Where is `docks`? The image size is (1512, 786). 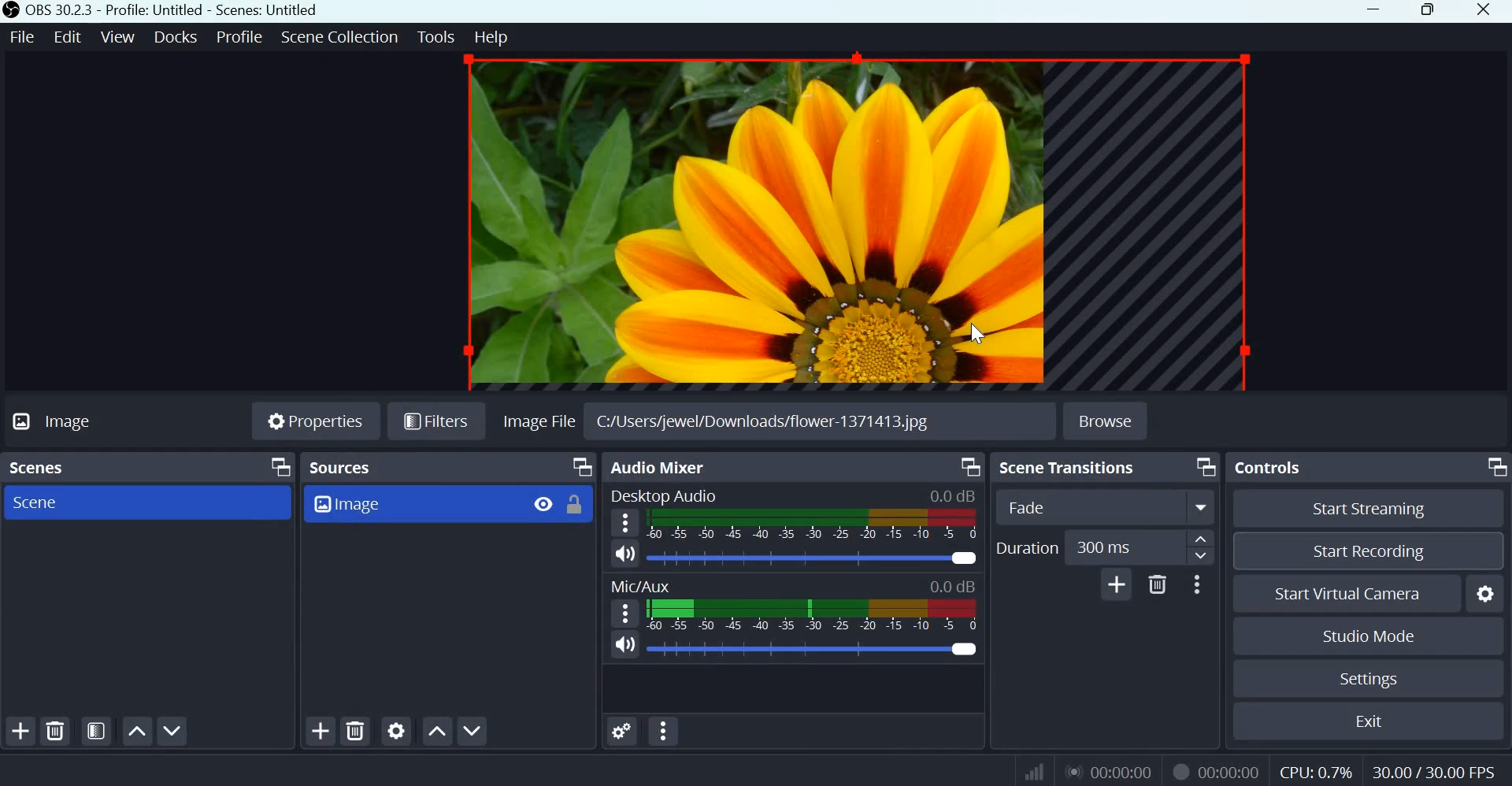 docks is located at coordinates (178, 35).